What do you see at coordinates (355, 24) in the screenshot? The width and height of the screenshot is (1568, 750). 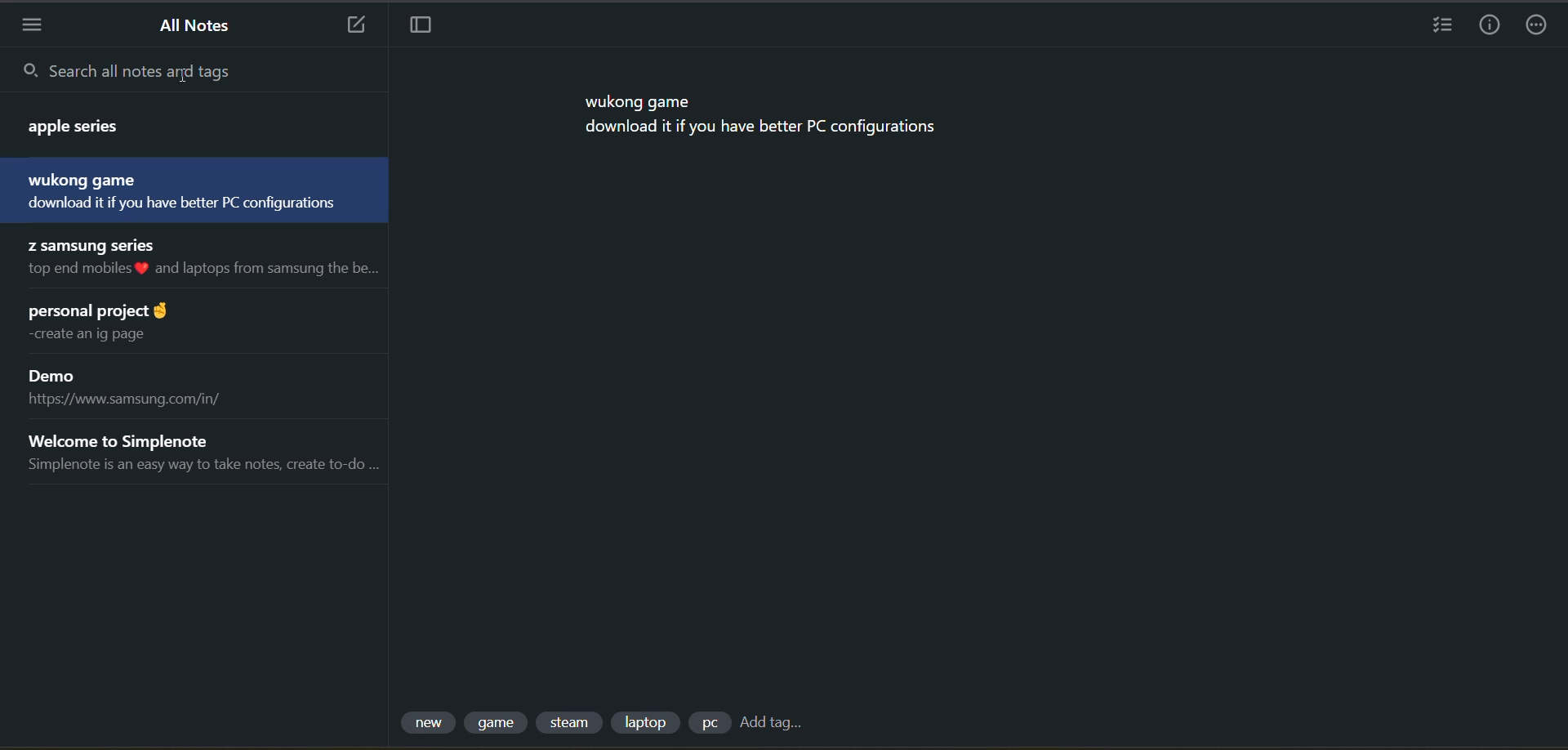 I see `new note` at bounding box center [355, 24].